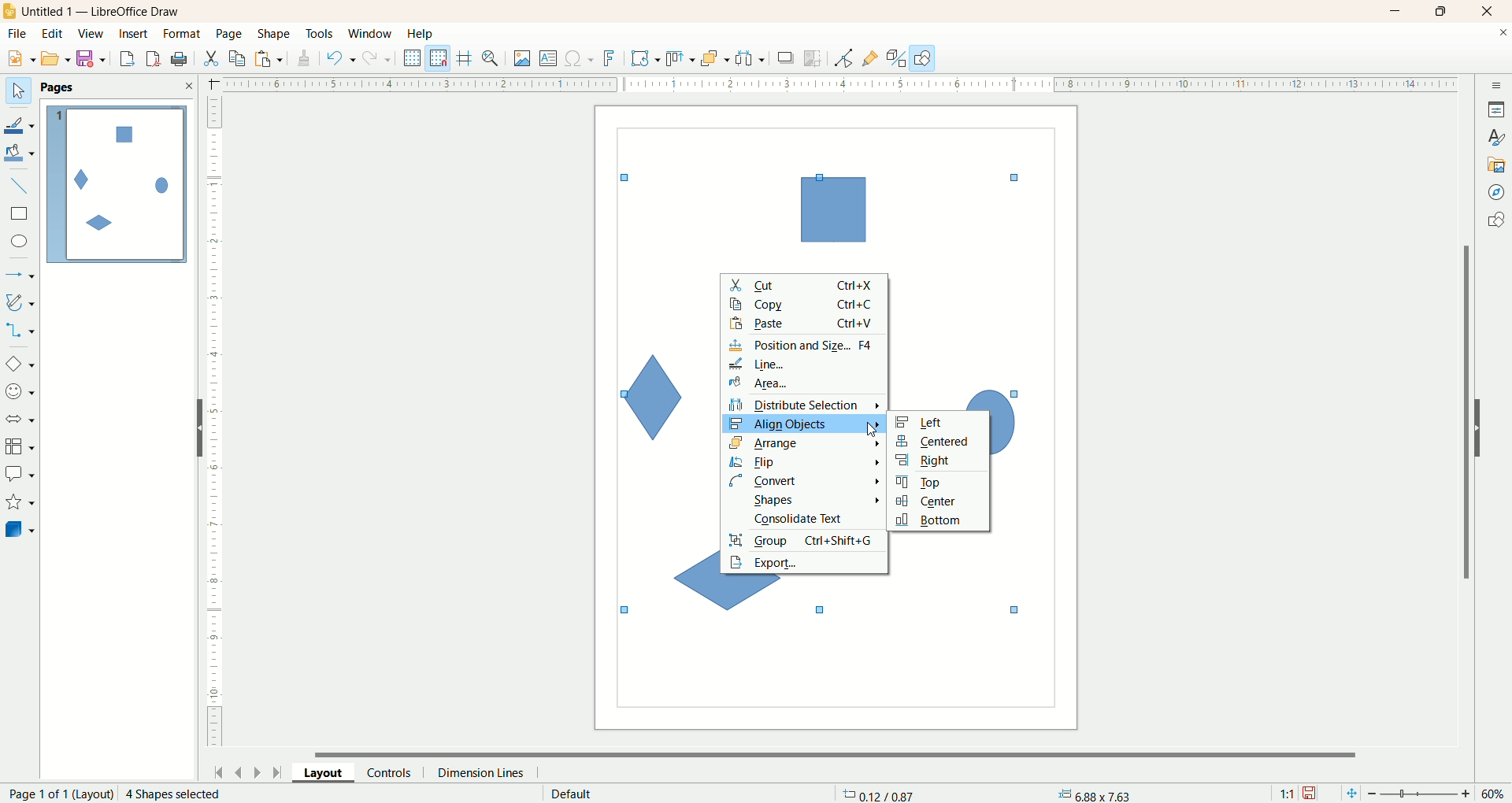  What do you see at coordinates (646, 59) in the screenshot?
I see `transformation` at bounding box center [646, 59].